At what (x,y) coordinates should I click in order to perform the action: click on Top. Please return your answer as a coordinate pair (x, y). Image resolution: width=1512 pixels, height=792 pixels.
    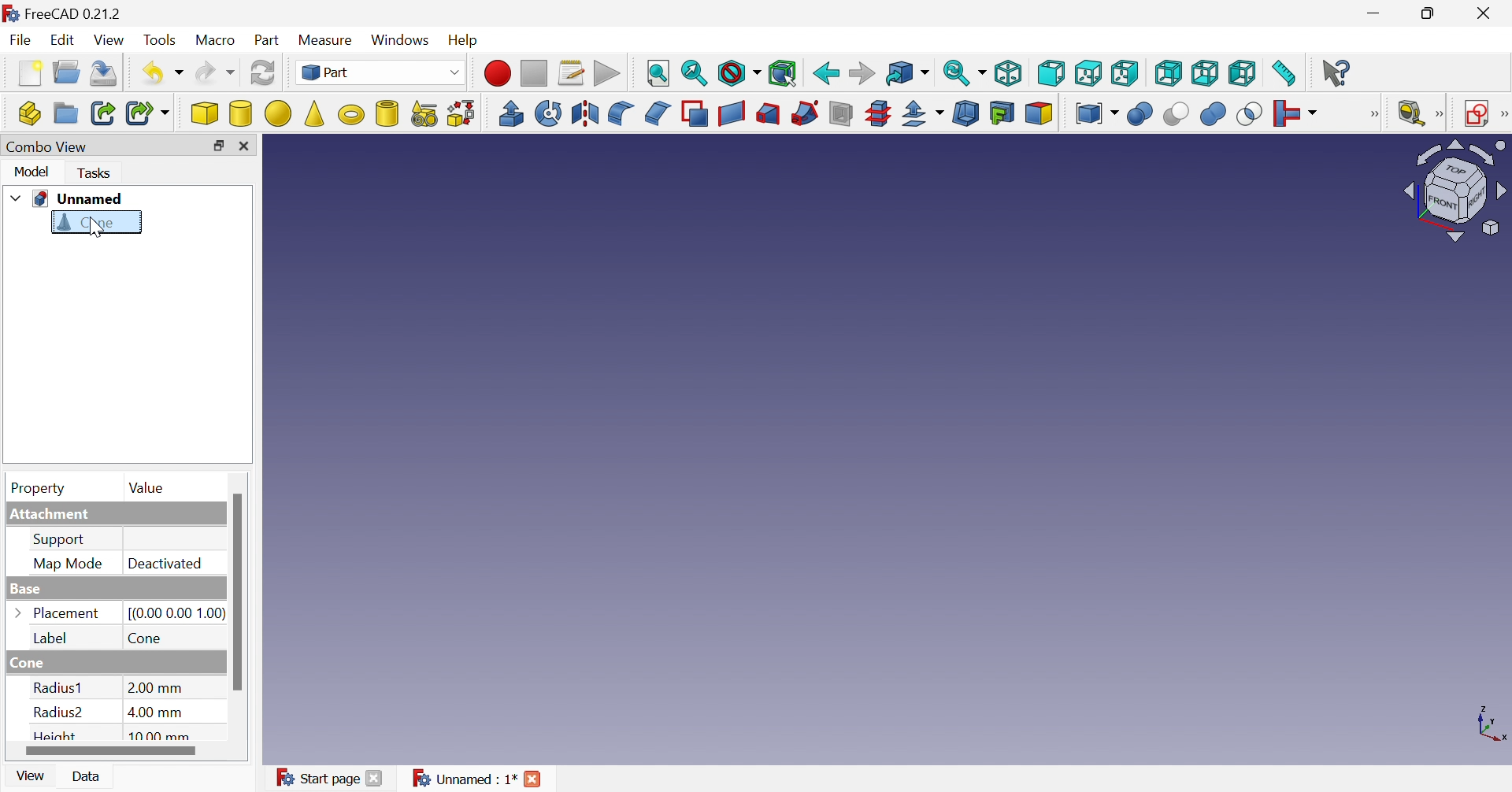
    Looking at the image, I should click on (1088, 73).